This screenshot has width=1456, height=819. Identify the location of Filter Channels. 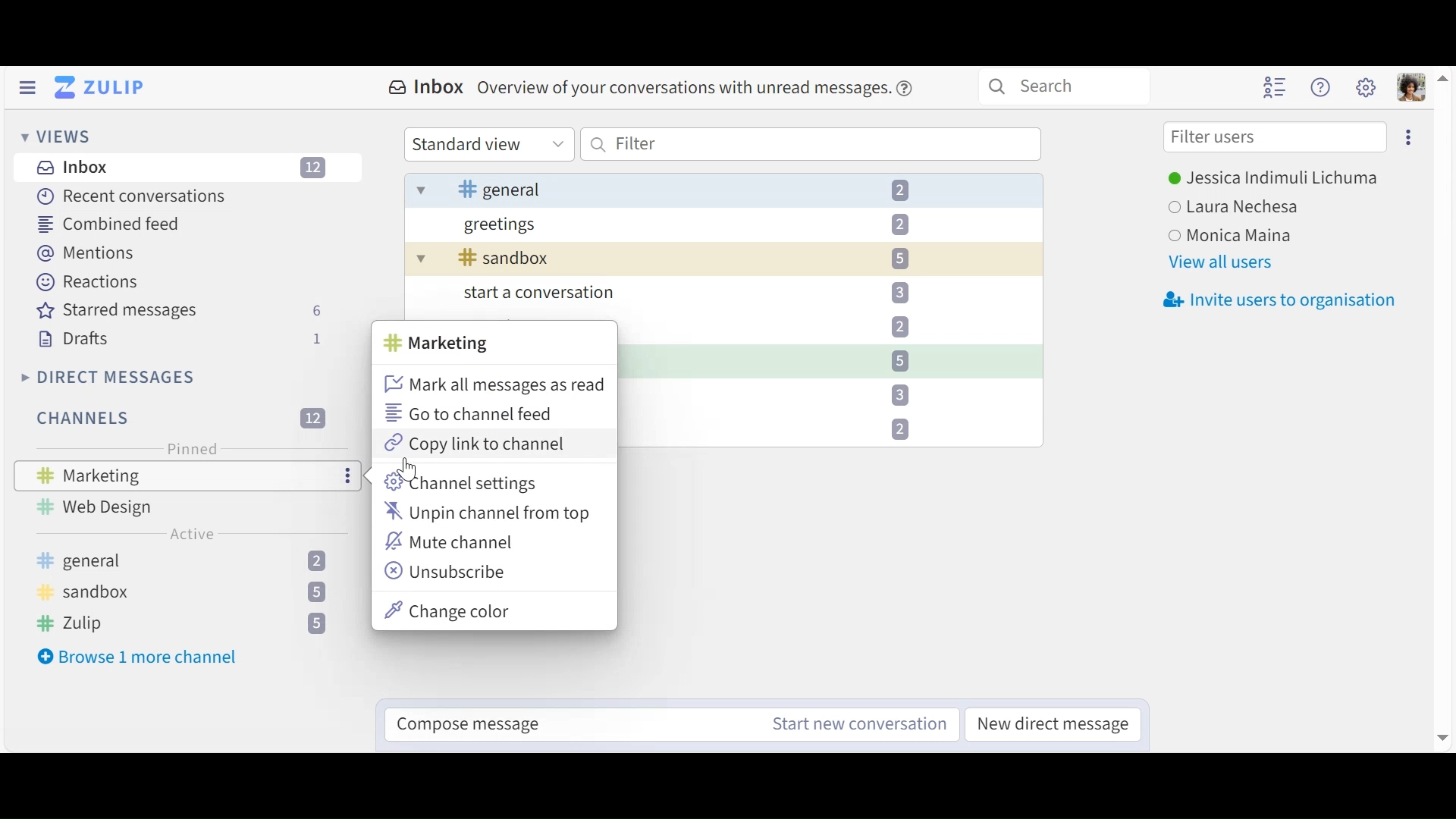
(178, 418).